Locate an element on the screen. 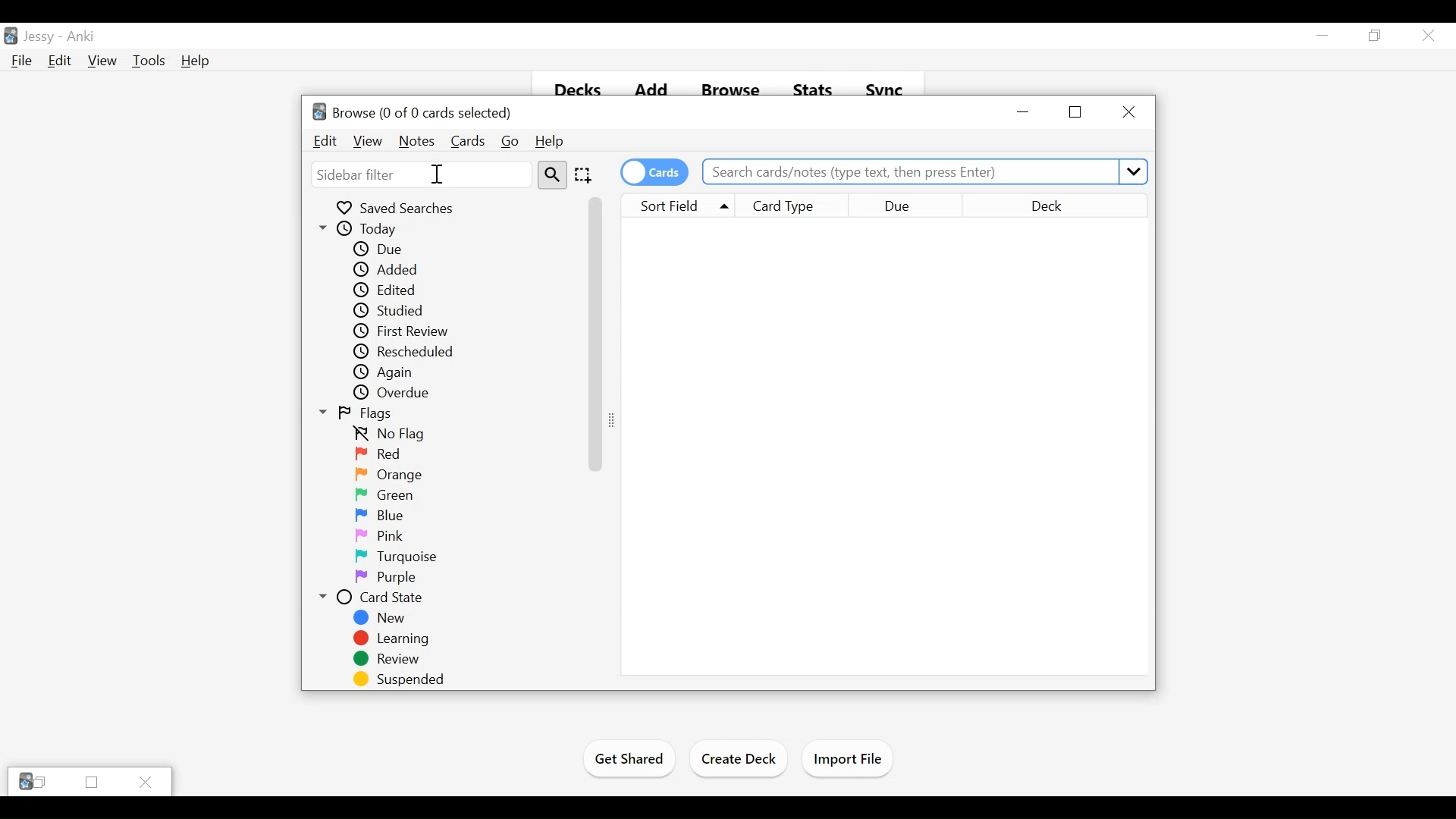  Help is located at coordinates (196, 61).